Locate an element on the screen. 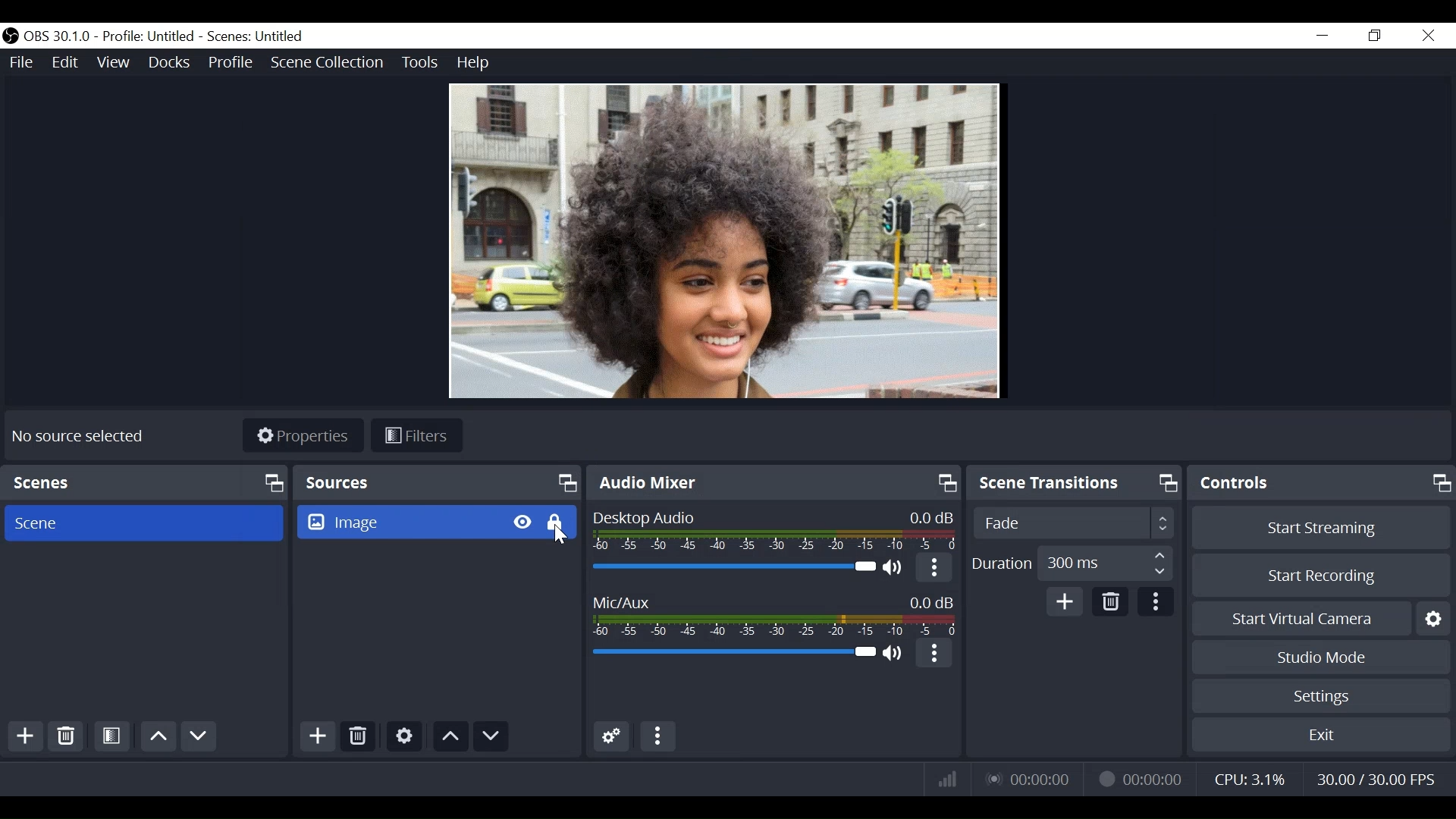  Scene Collection is located at coordinates (328, 61).